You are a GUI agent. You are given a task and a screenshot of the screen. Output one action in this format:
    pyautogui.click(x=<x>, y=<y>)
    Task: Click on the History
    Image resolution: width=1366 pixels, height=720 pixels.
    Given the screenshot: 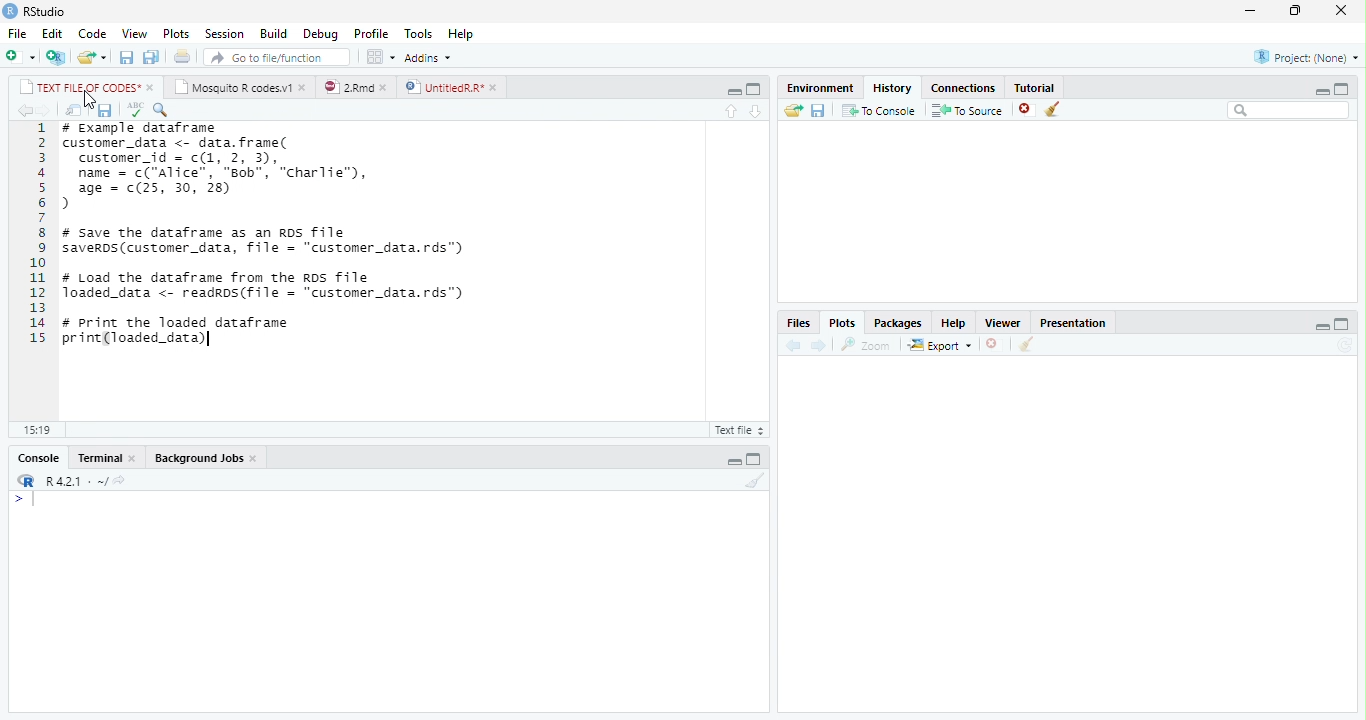 What is the action you would take?
    pyautogui.click(x=892, y=87)
    